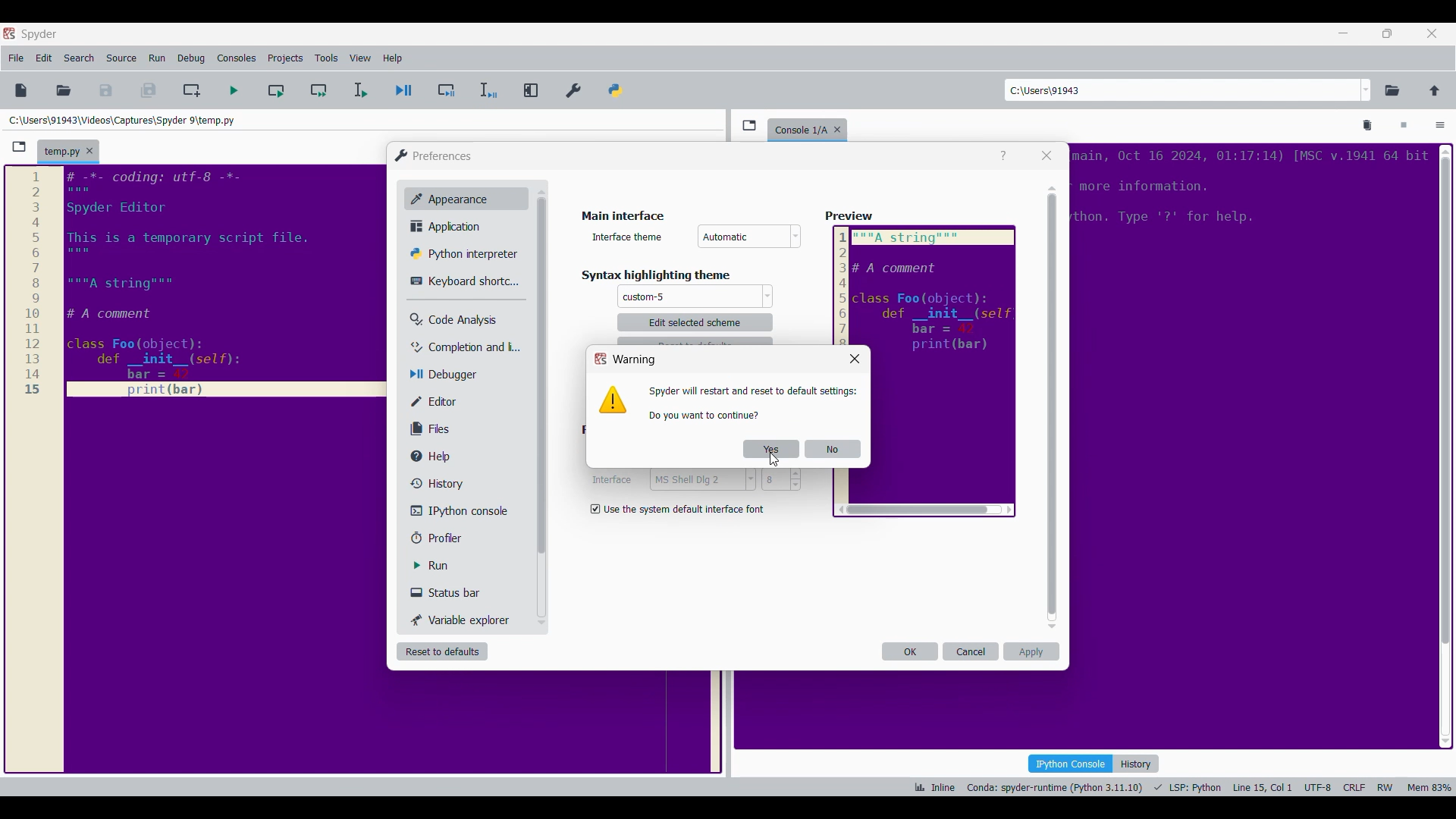  Describe the element at coordinates (770, 449) in the screenshot. I see `Yes` at that location.